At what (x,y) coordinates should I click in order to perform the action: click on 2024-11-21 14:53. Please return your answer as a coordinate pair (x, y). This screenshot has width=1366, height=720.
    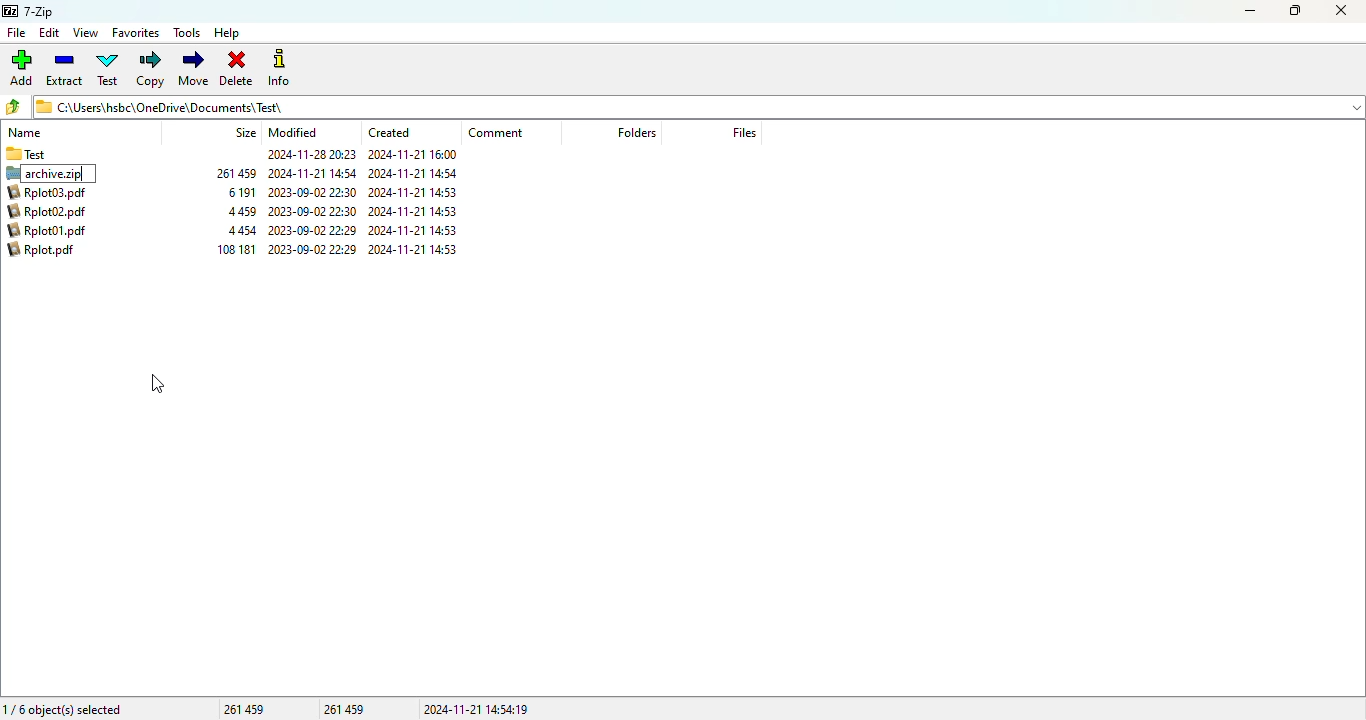
    Looking at the image, I should click on (415, 229).